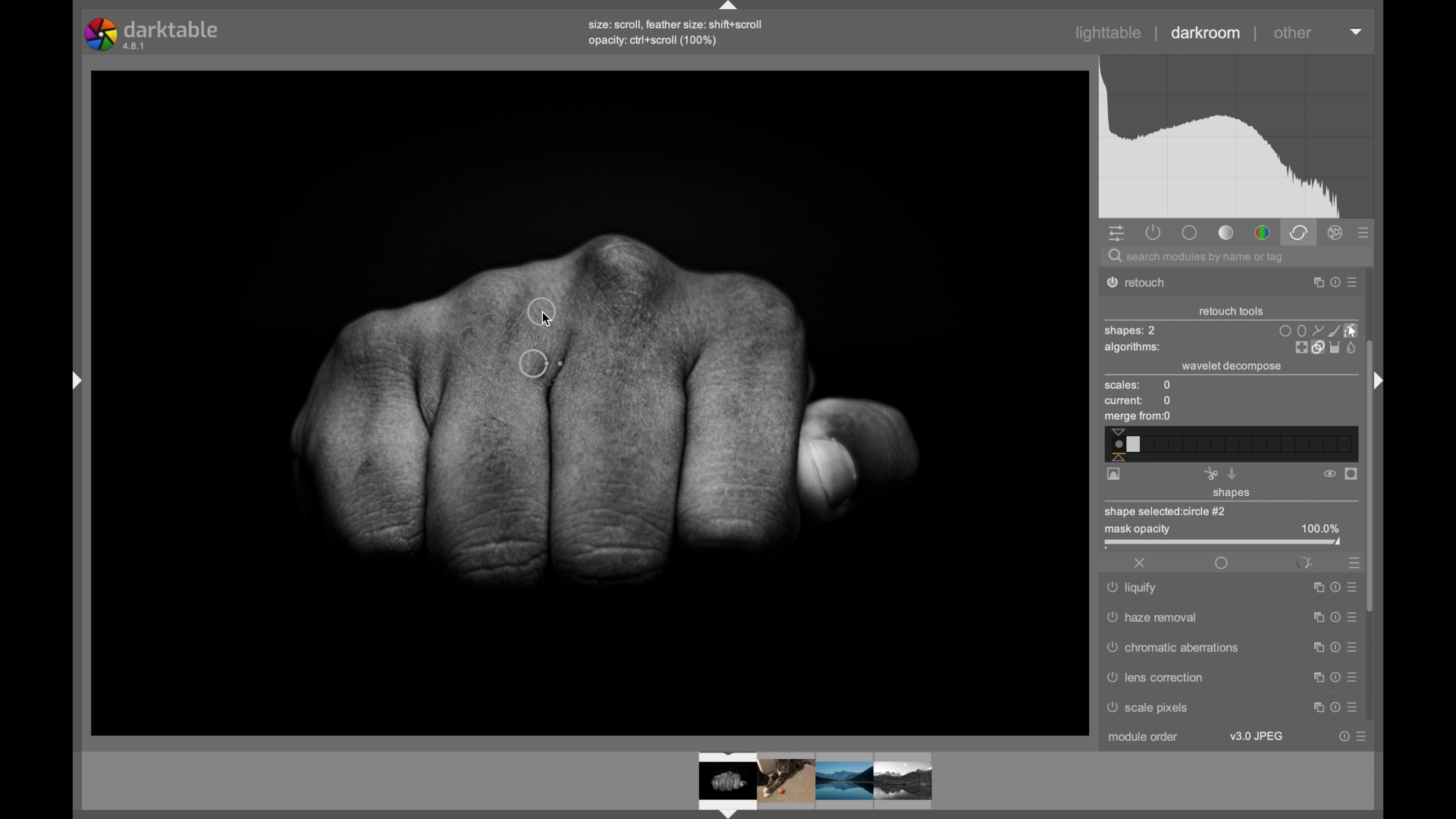 The height and width of the screenshot is (819, 1456). What do you see at coordinates (1336, 233) in the screenshot?
I see `effect` at bounding box center [1336, 233].